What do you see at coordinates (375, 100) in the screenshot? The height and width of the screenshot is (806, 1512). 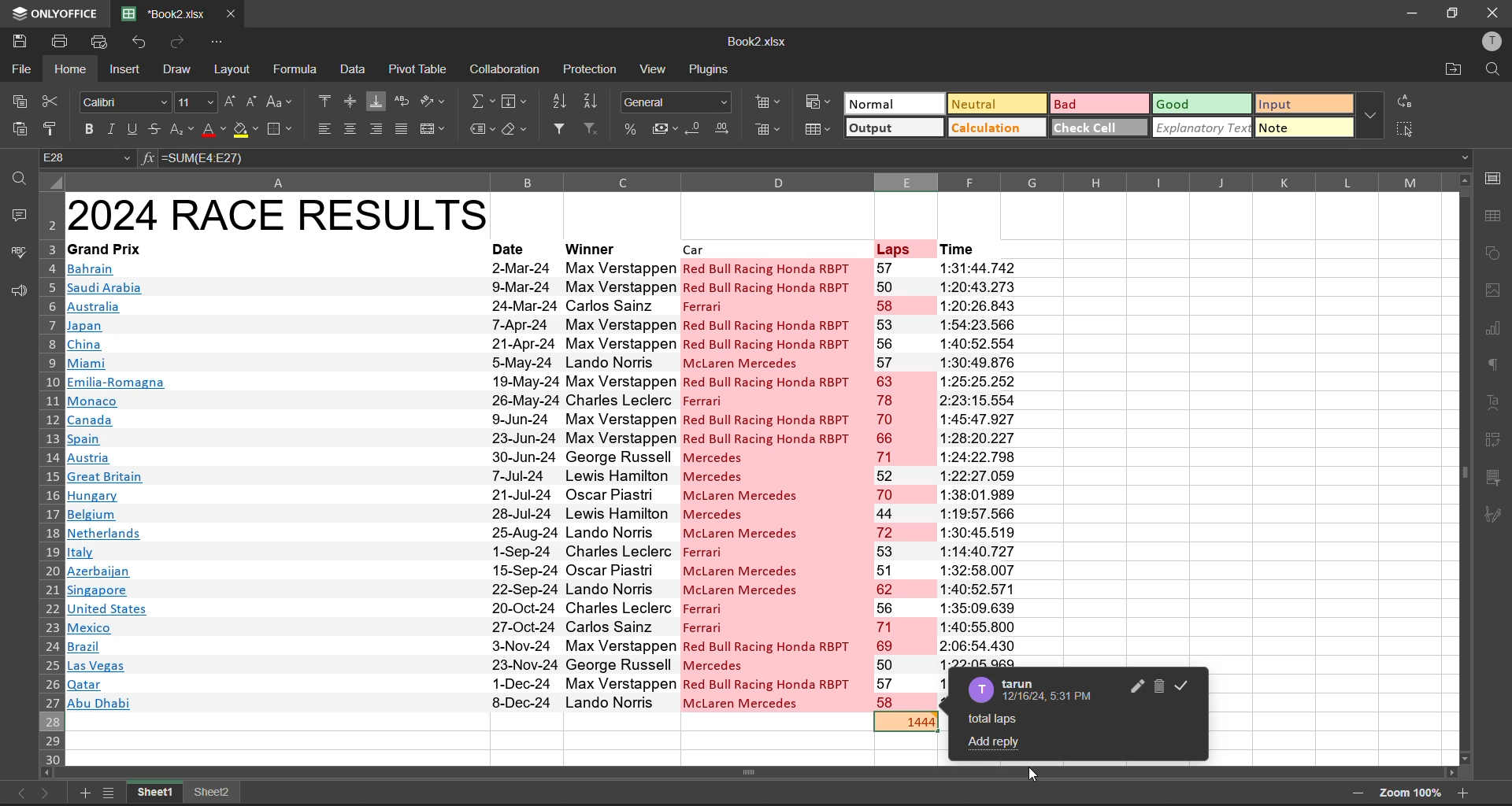 I see `align bottom` at bounding box center [375, 100].